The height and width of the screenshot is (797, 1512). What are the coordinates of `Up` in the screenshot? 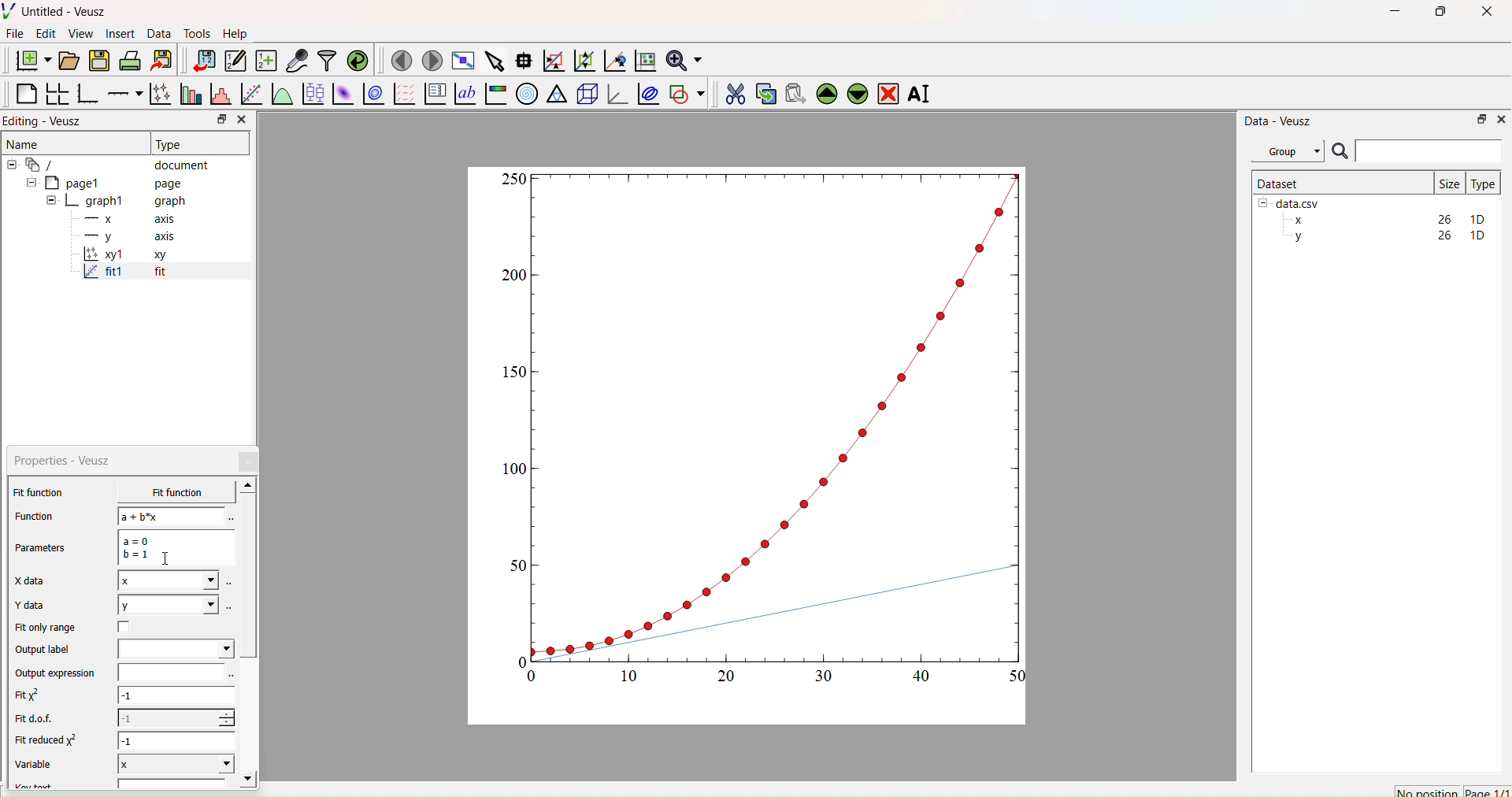 It's located at (825, 91).